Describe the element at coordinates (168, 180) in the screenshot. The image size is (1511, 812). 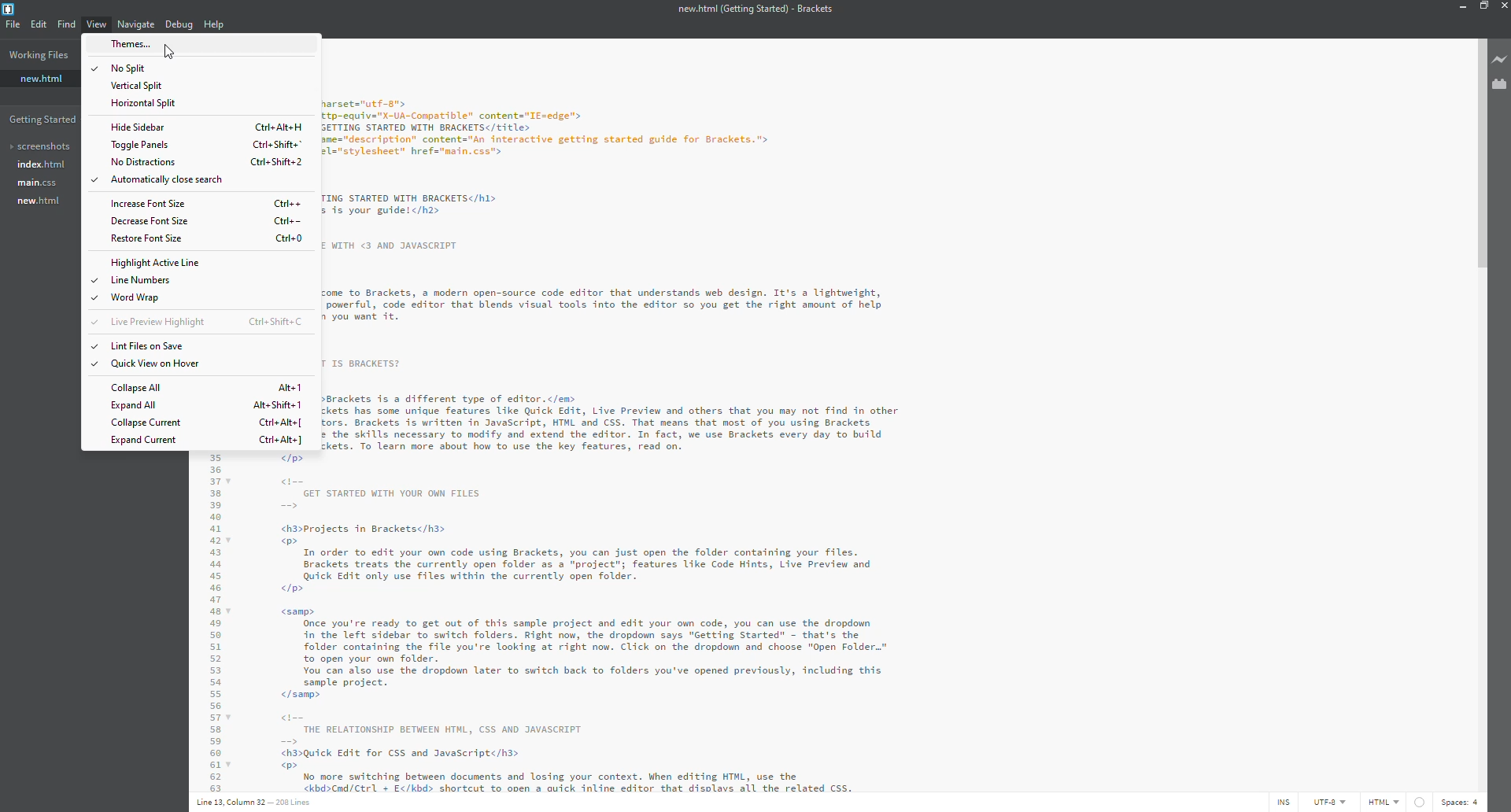
I see `automatically close search` at that location.